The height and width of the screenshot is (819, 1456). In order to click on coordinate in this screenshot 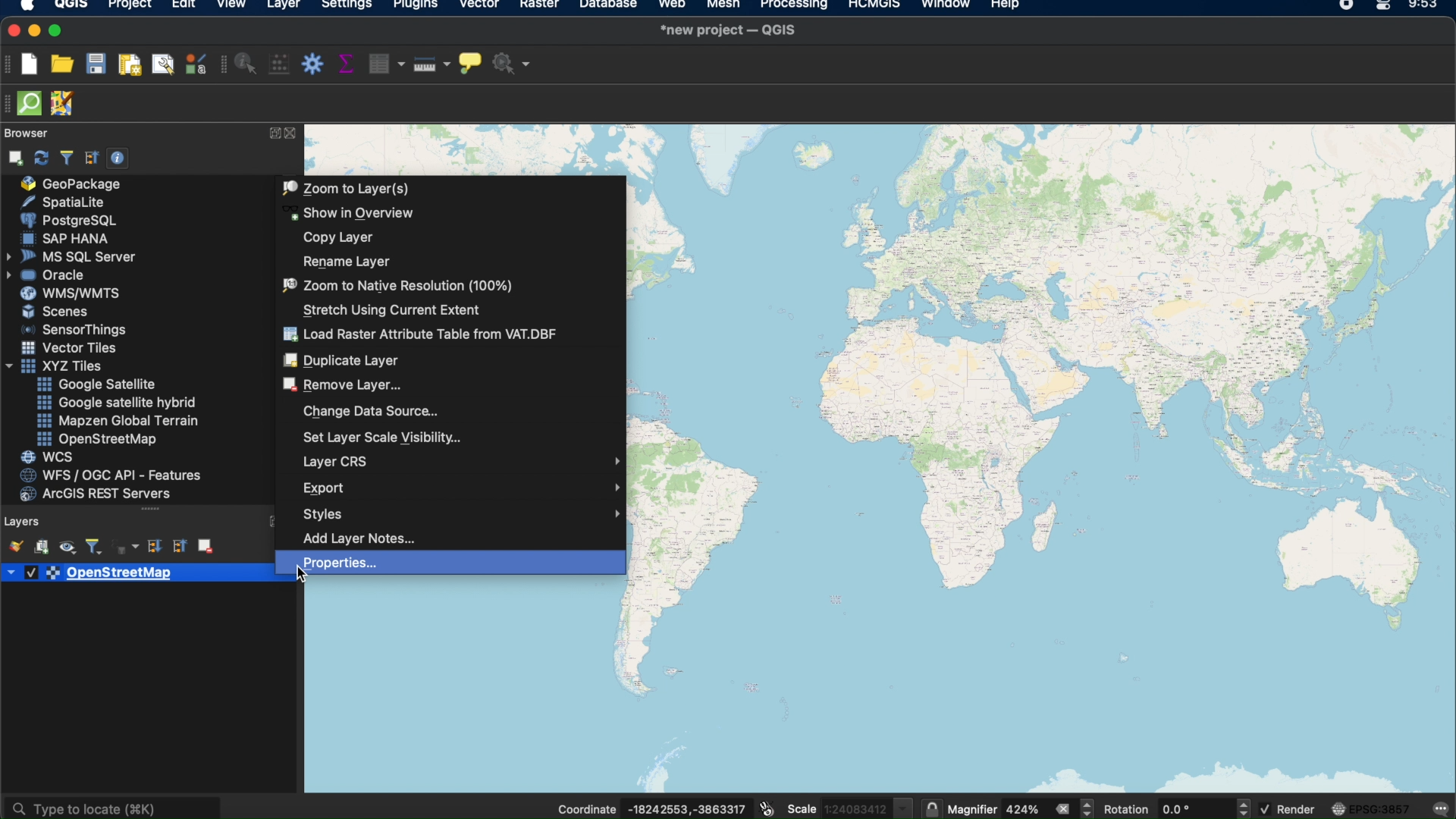, I will do `click(651, 805)`.